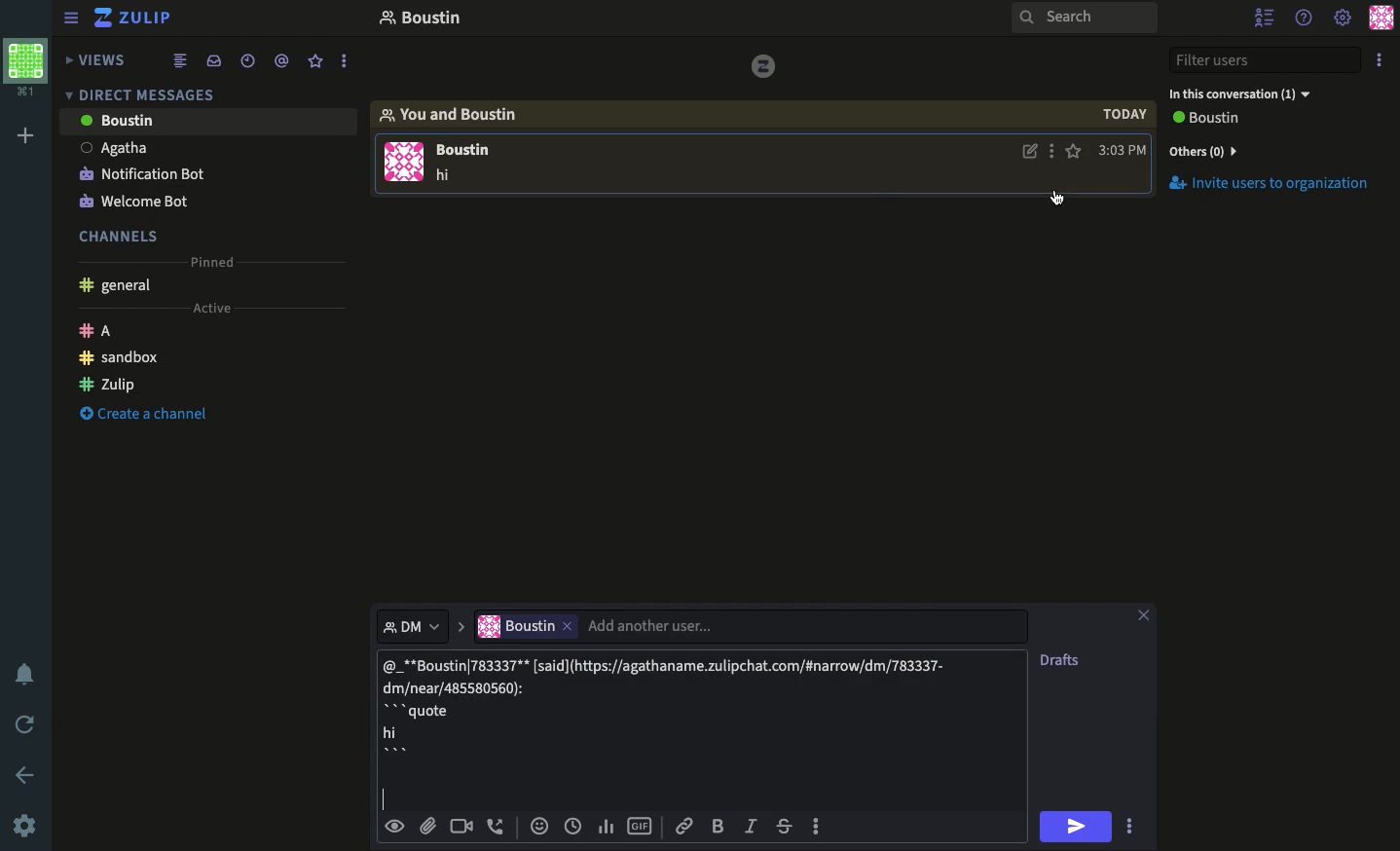  What do you see at coordinates (101, 329) in the screenshot?
I see `A` at bounding box center [101, 329].